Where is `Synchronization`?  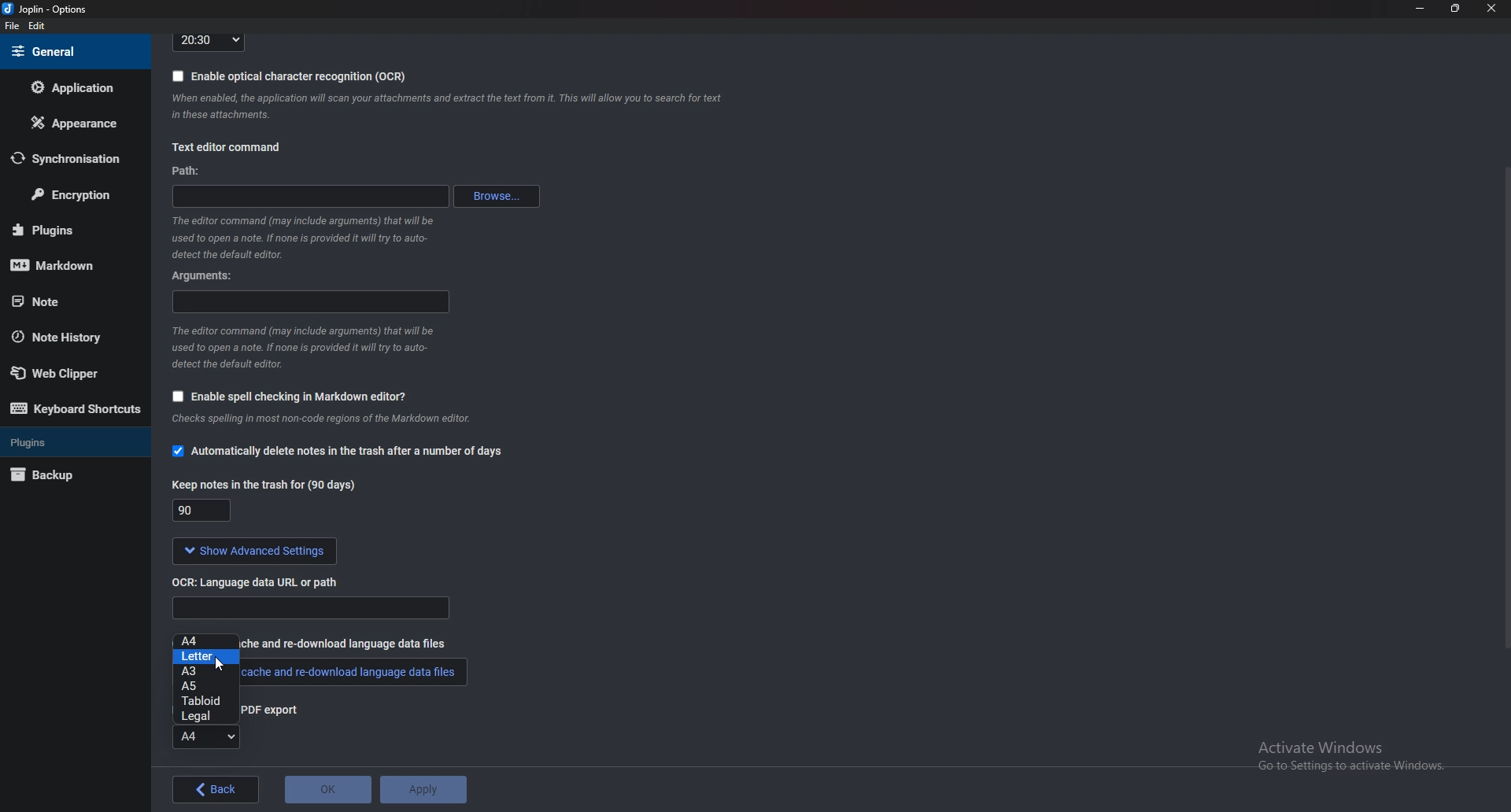 Synchronization is located at coordinates (66, 159).